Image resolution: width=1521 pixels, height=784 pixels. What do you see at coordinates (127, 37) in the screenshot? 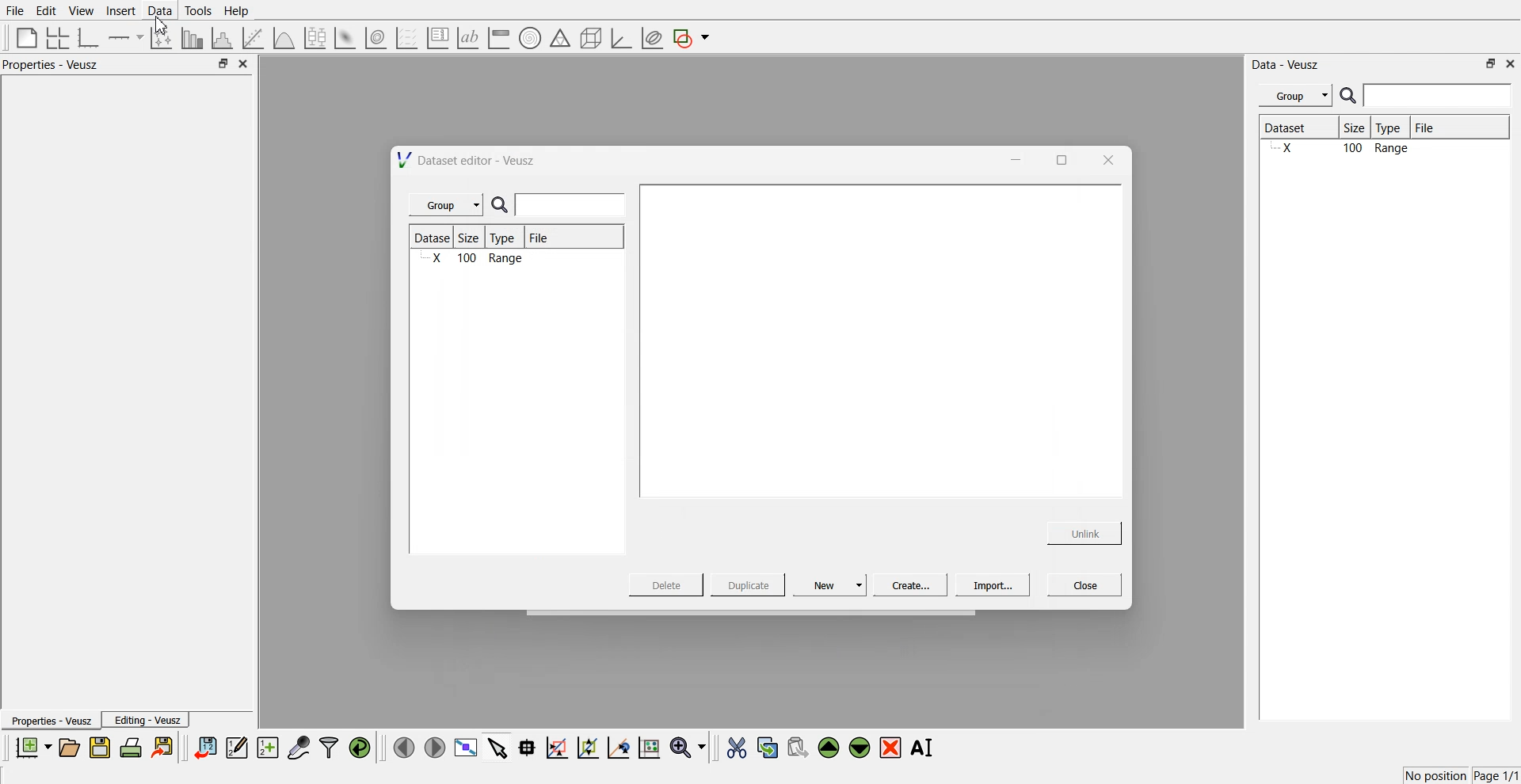
I see `add an axis` at bounding box center [127, 37].